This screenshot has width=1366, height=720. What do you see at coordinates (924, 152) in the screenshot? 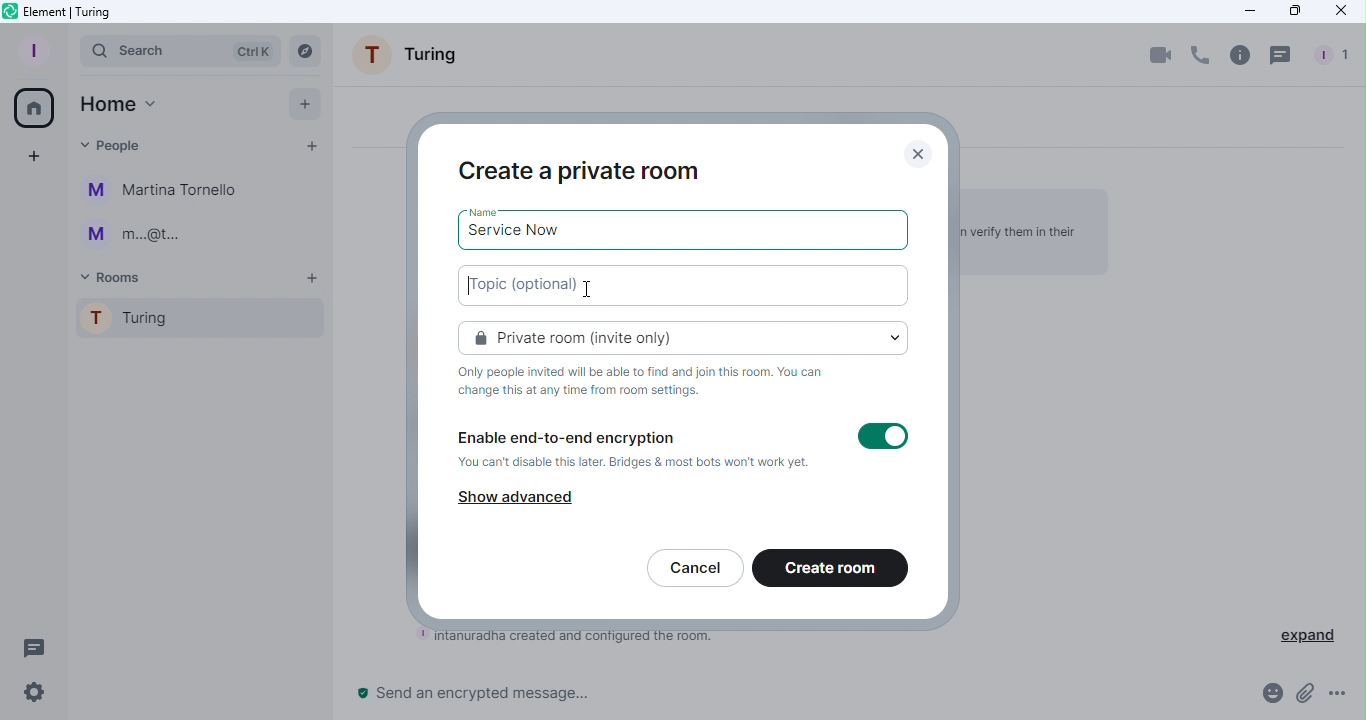
I see `Close` at bounding box center [924, 152].